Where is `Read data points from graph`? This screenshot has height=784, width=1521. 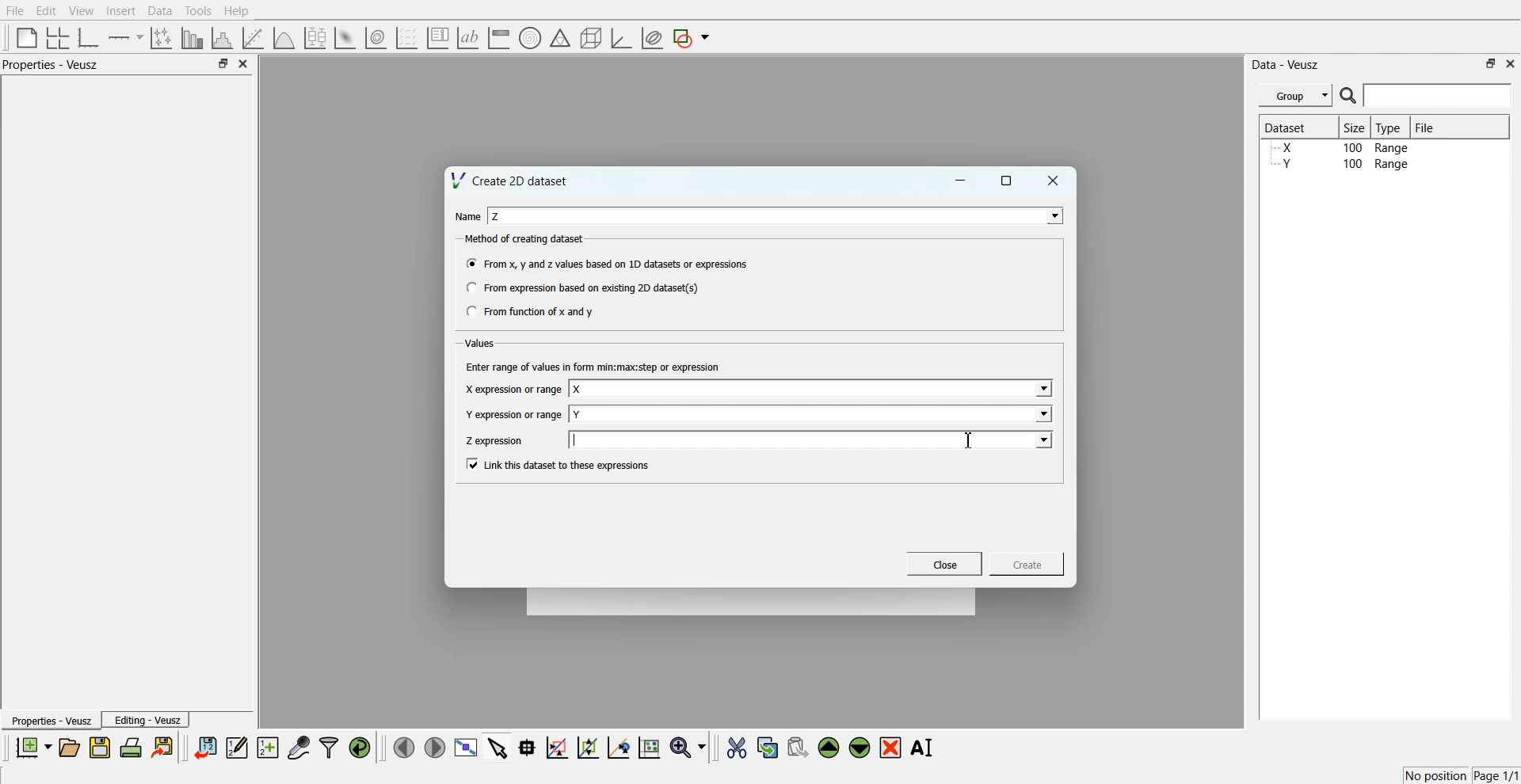
Read data points from graph is located at coordinates (528, 747).